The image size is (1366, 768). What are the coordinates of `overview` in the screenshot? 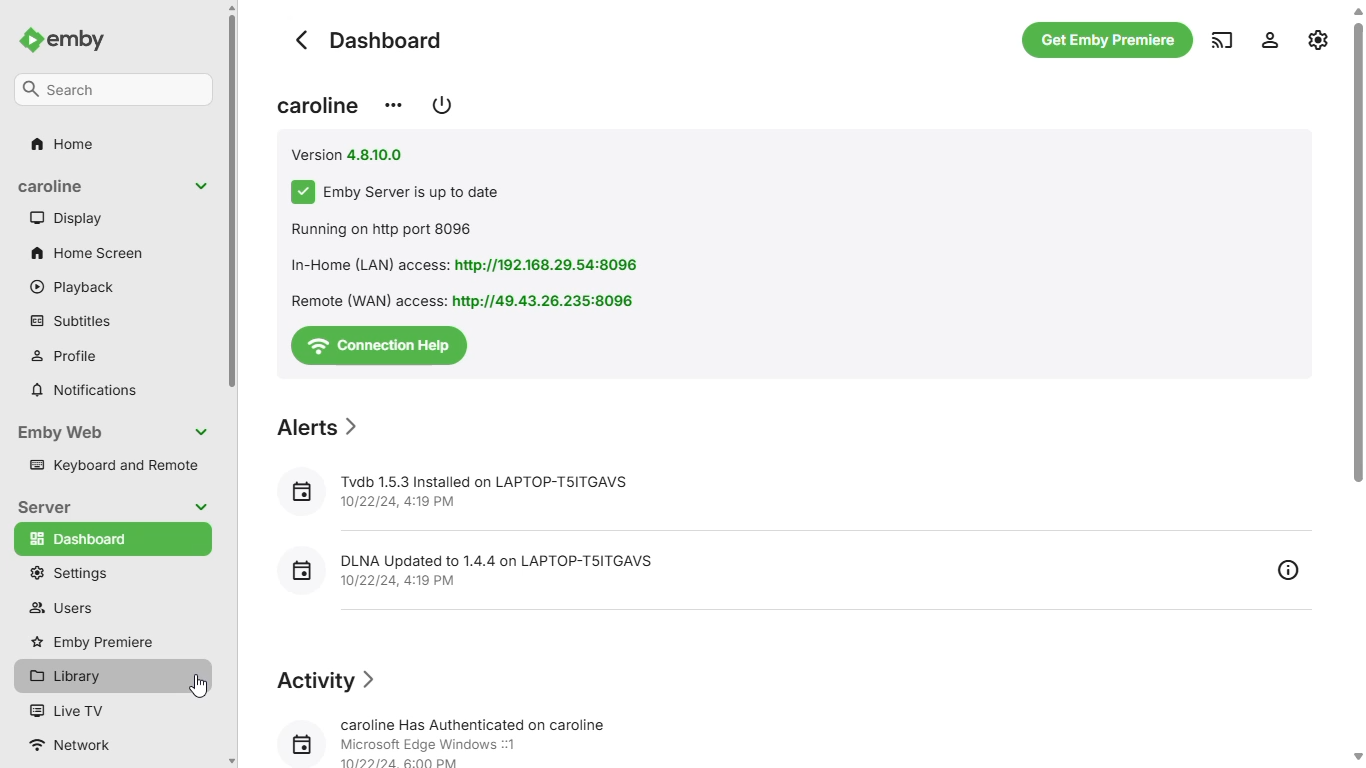 It's located at (1287, 567).